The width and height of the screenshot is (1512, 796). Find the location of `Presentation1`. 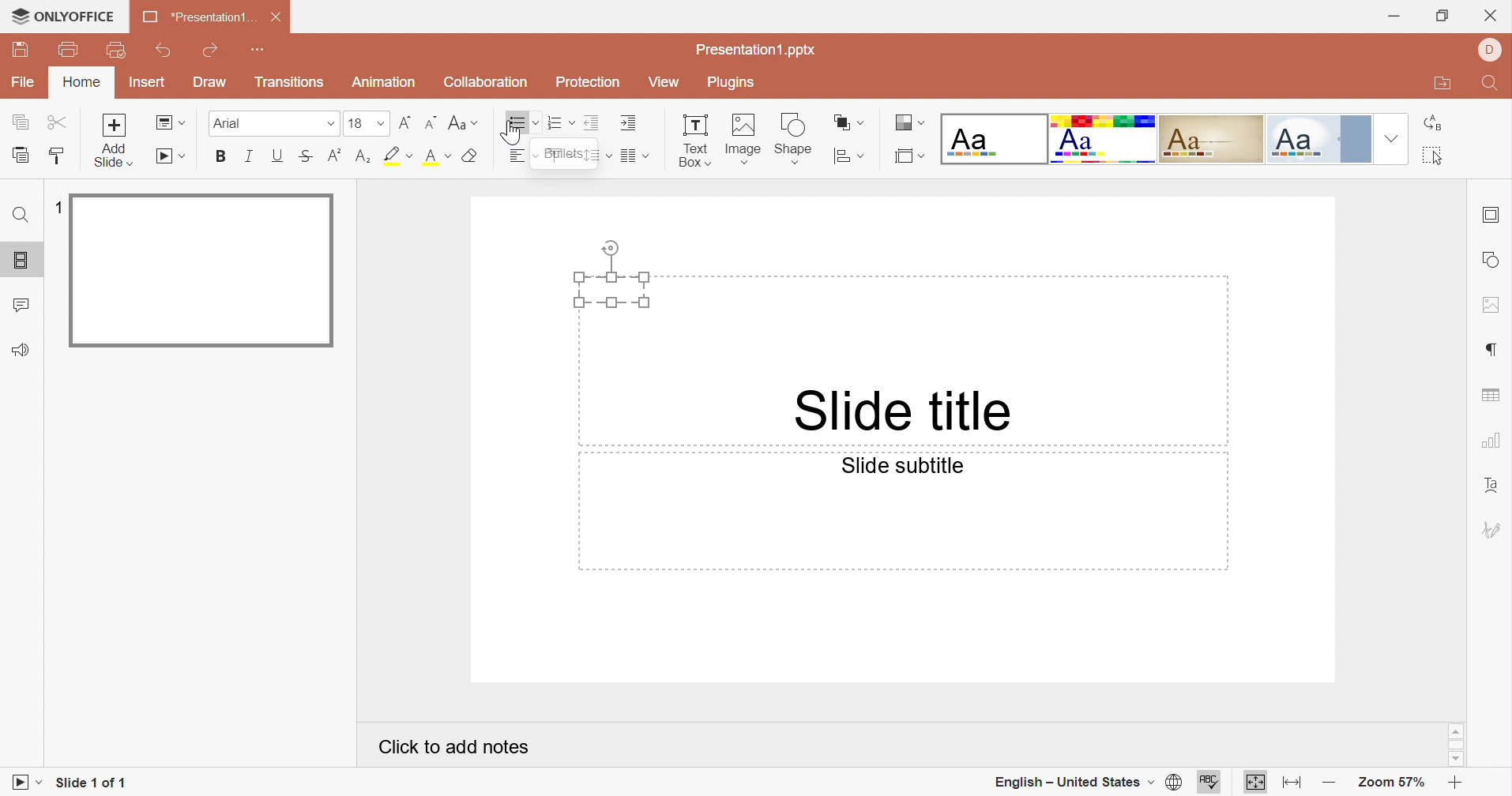

Presentation1 is located at coordinates (194, 19).